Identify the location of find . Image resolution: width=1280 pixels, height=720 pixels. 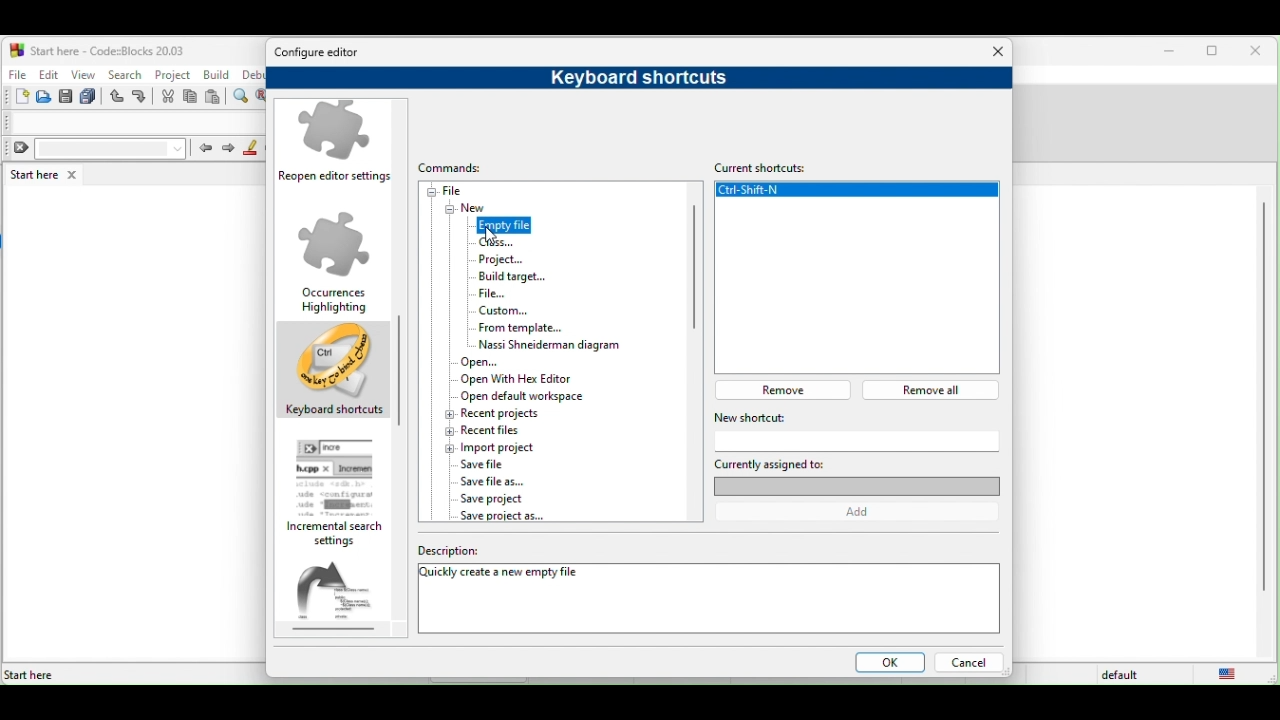
(243, 97).